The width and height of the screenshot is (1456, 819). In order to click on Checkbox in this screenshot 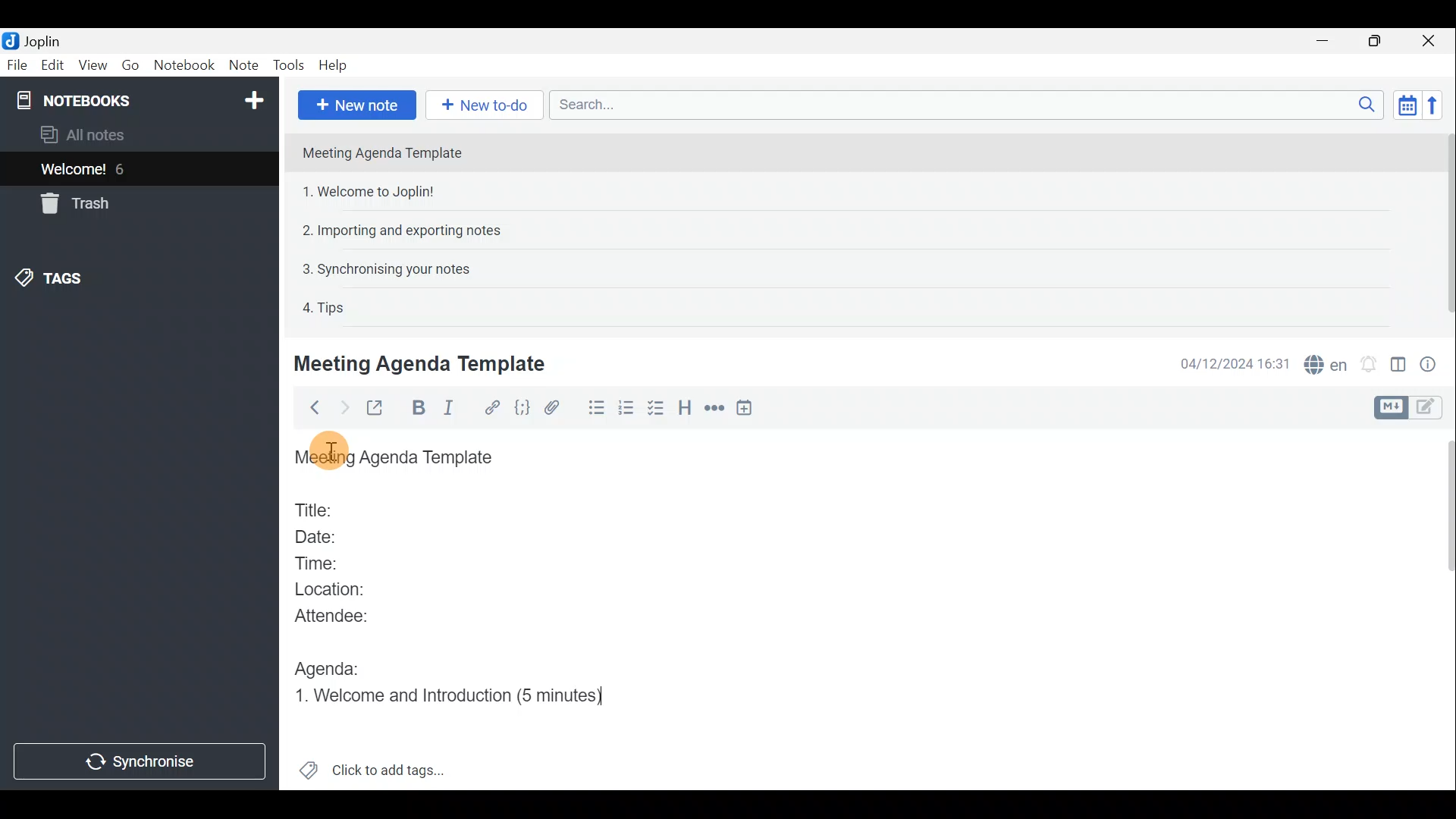, I will do `click(653, 409)`.